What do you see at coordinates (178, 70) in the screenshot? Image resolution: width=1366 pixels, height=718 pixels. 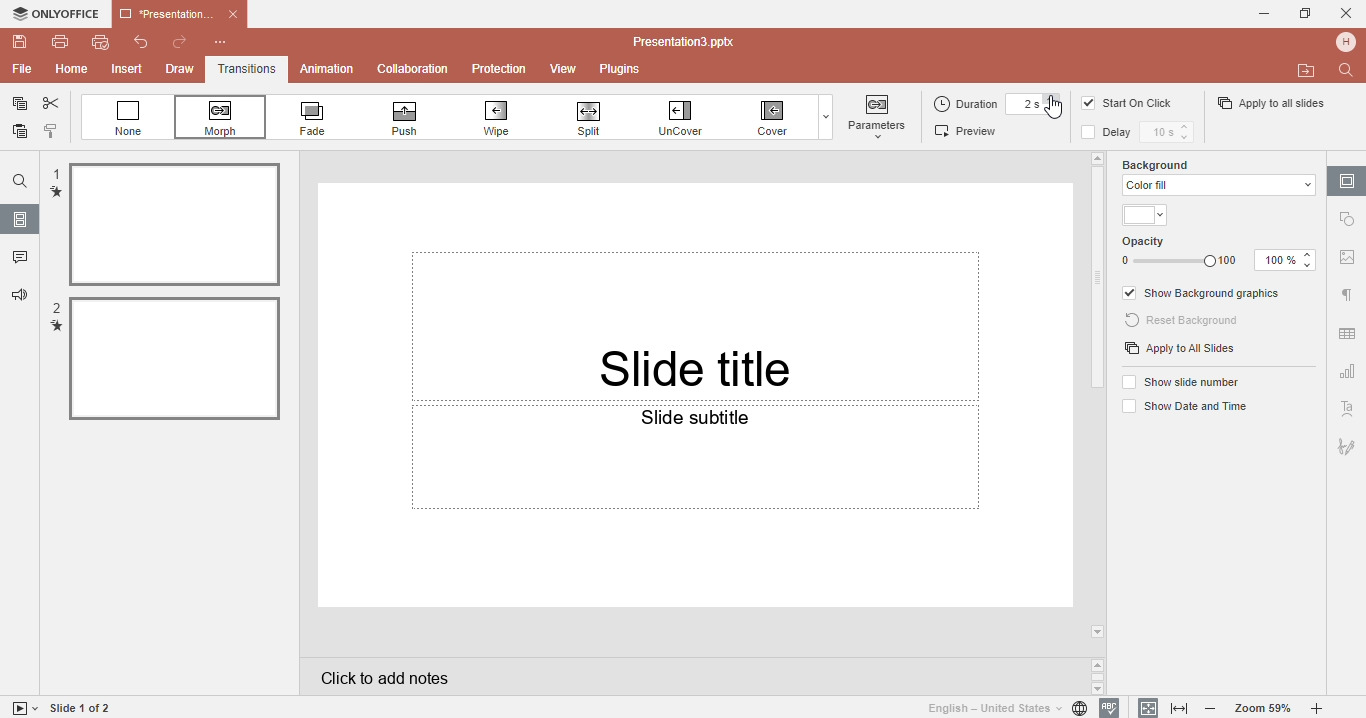 I see `Draw` at bounding box center [178, 70].